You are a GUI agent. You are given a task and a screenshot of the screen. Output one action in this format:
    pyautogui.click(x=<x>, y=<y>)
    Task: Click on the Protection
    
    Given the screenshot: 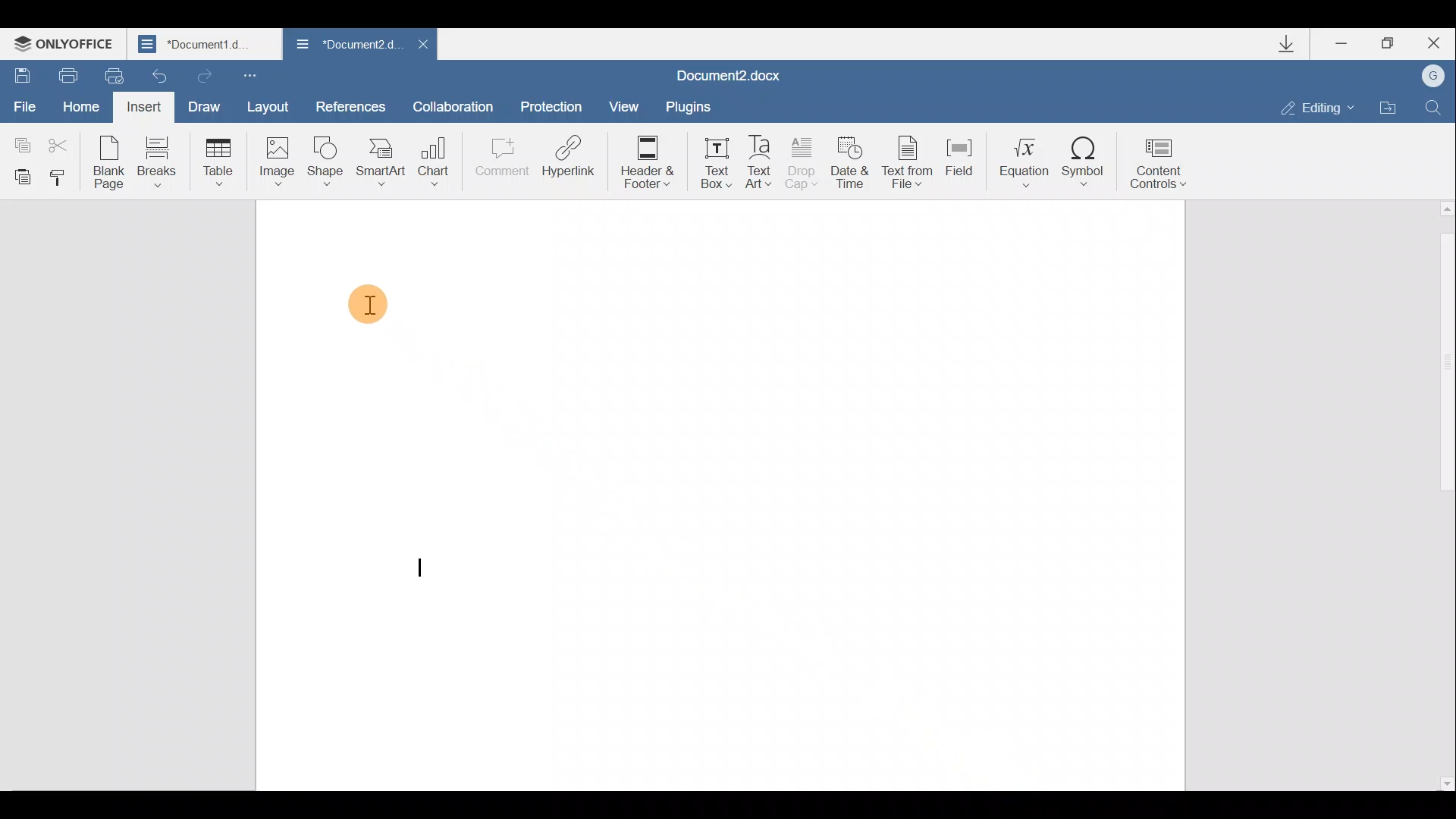 What is the action you would take?
    pyautogui.click(x=554, y=101)
    